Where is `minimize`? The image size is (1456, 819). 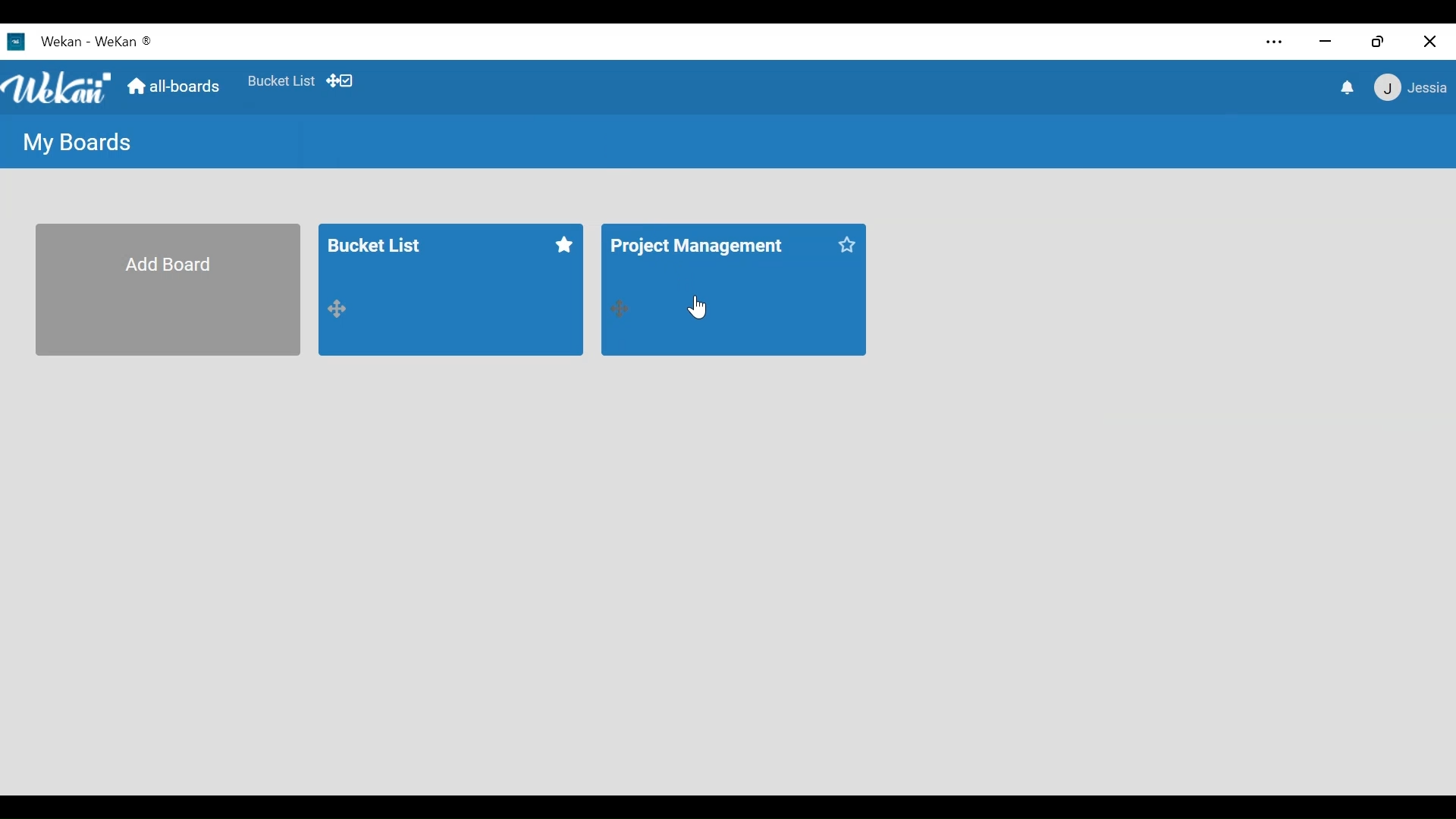 minimize is located at coordinates (1328, 42).